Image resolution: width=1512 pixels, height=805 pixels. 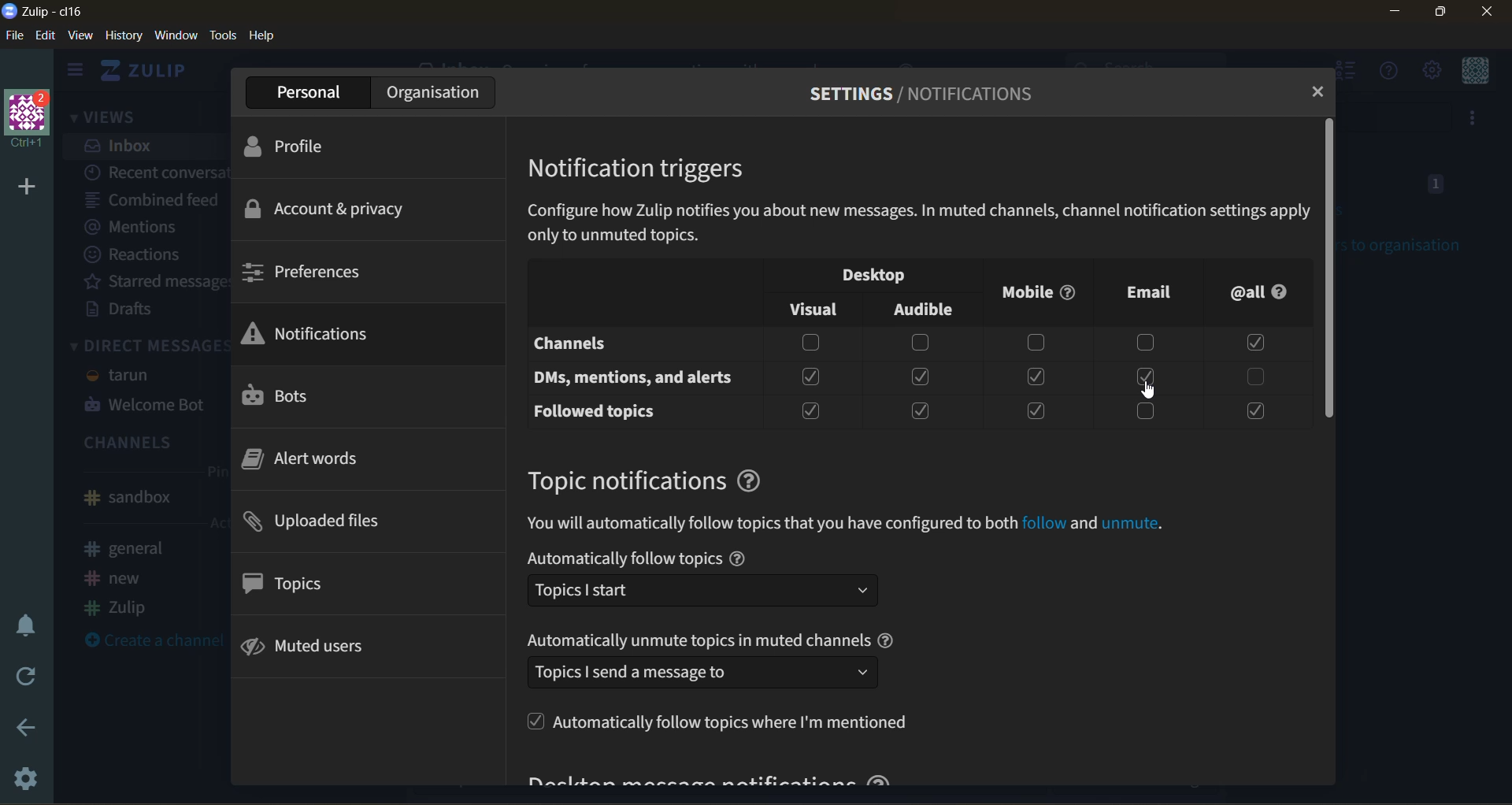 What do you see at coordinates (46, 36) in the screenshot?
I see `edit` at bounding box center [46, 36].